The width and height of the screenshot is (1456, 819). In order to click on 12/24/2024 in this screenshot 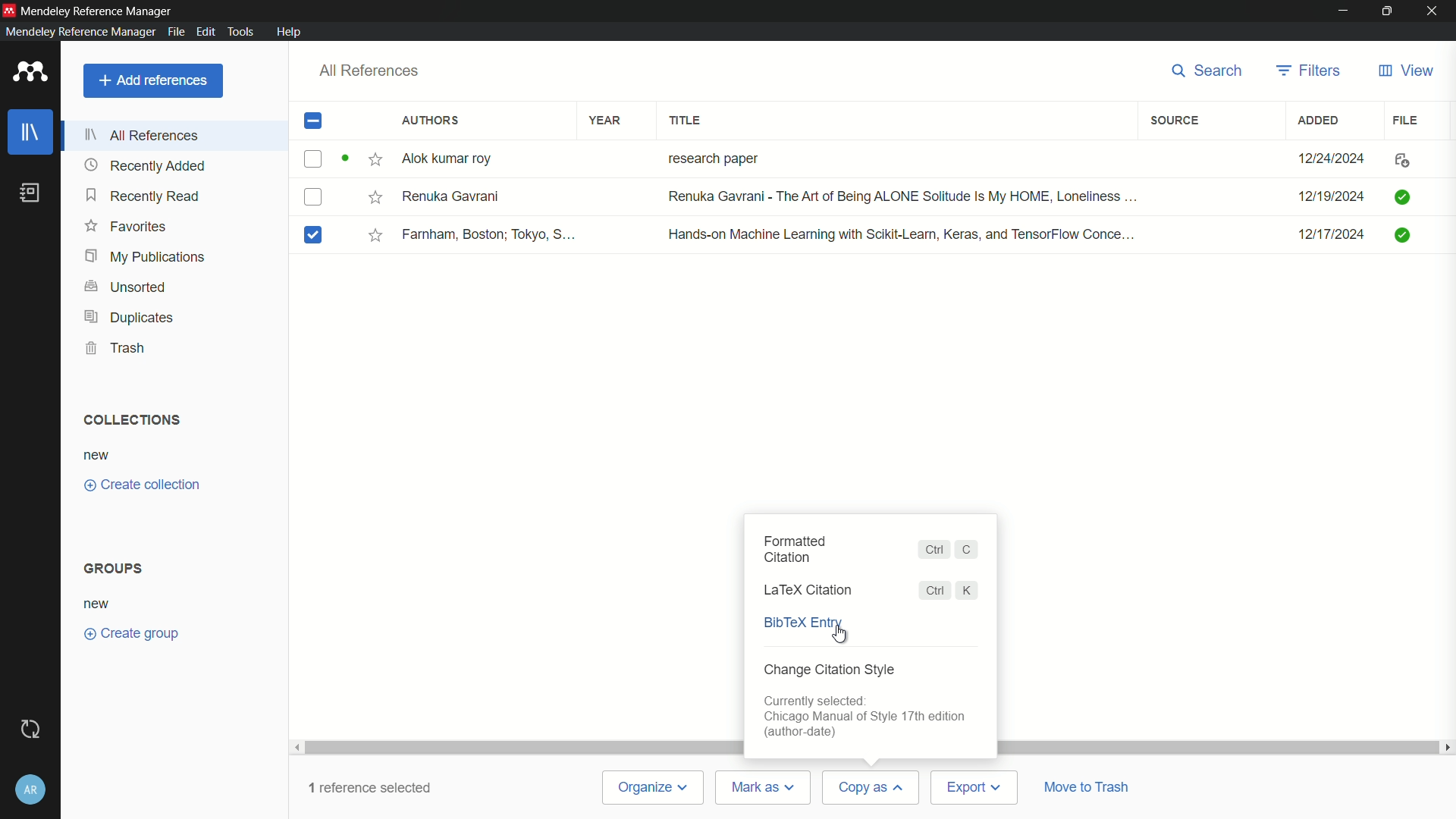, I will do `click(1326, 155)`.